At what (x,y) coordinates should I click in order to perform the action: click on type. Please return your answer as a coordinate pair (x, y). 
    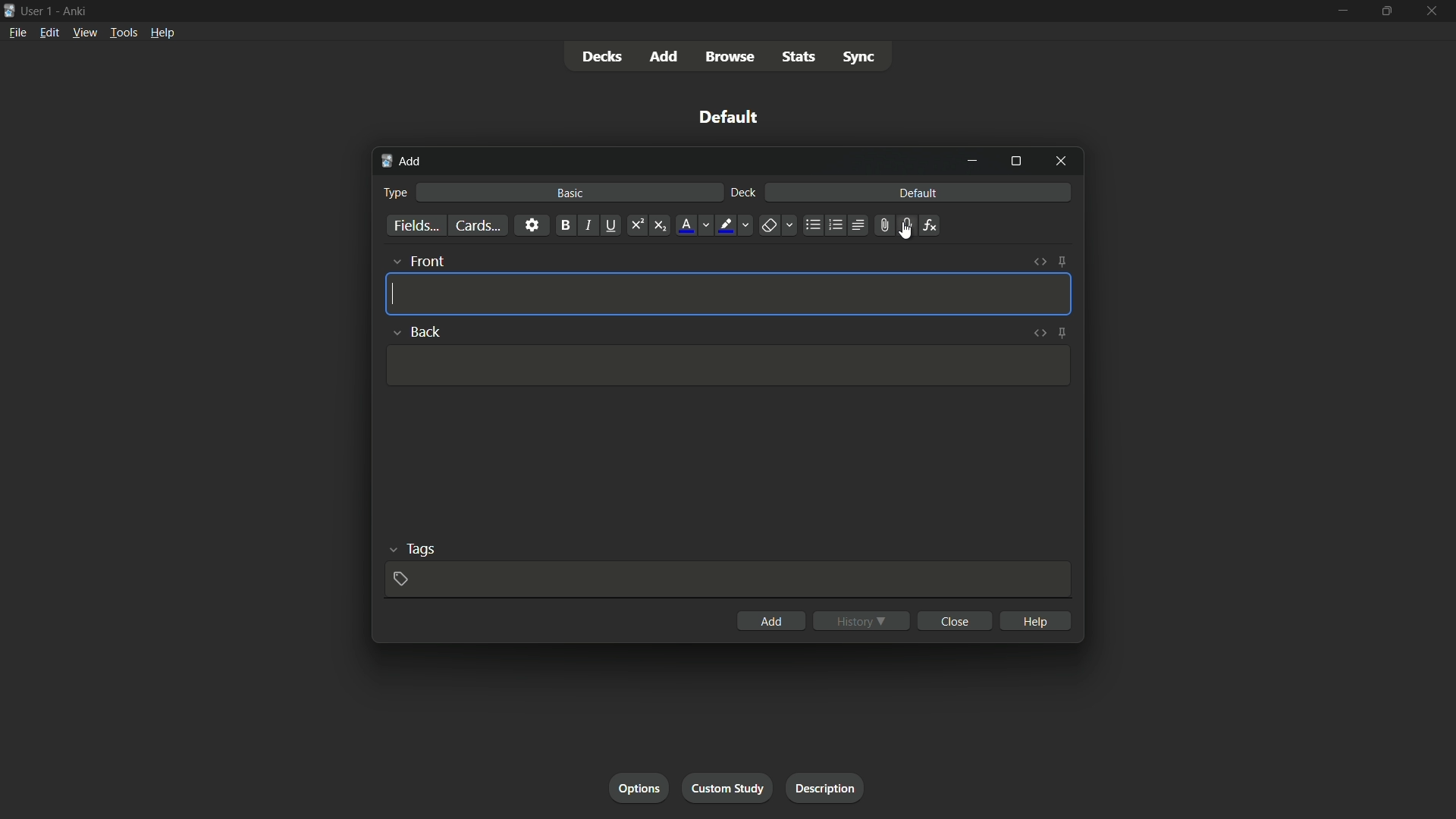
    Looking at the image, I should click on (397, 192).